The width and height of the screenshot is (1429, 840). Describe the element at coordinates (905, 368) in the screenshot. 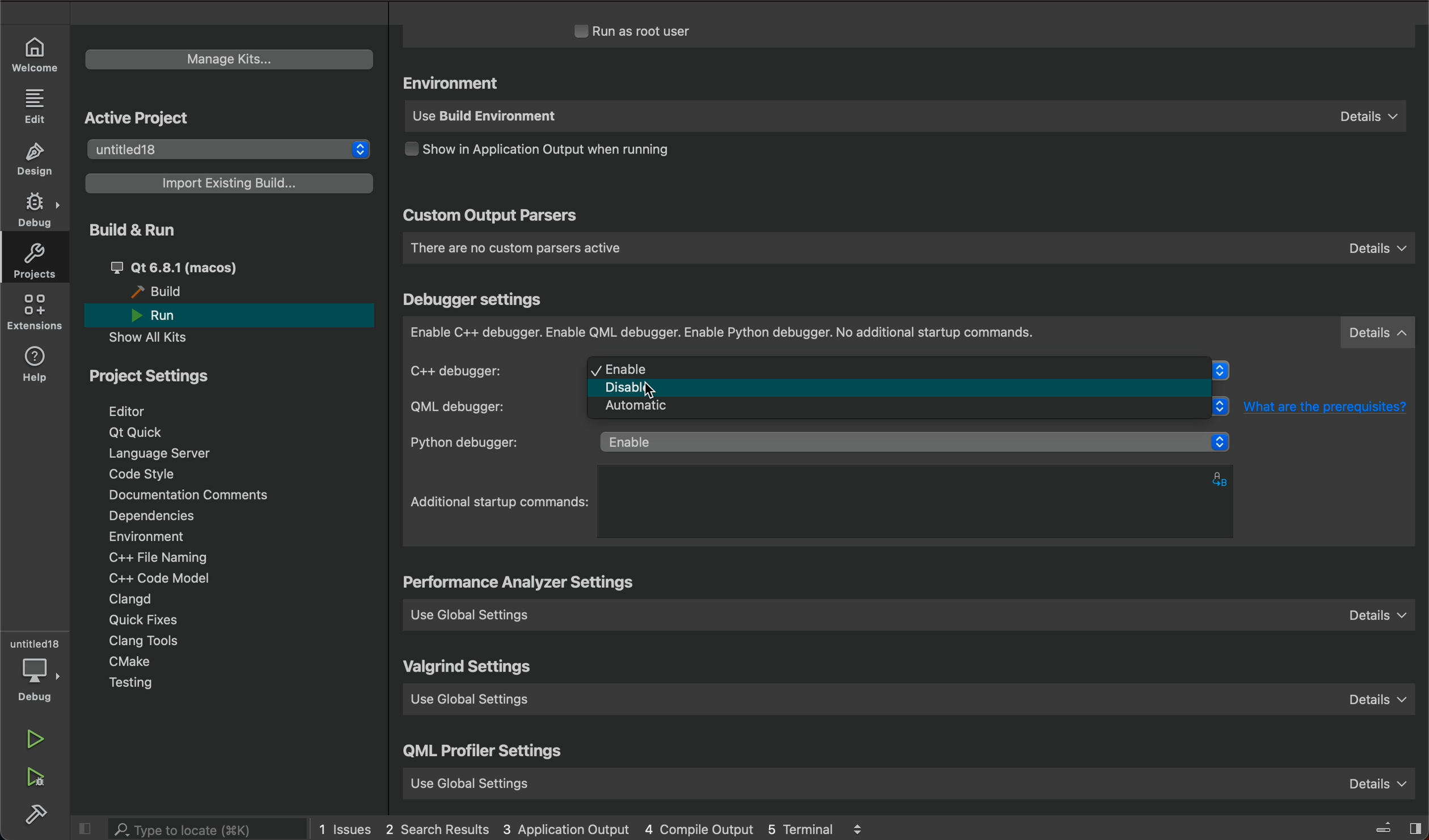

I see `enable` at that location.